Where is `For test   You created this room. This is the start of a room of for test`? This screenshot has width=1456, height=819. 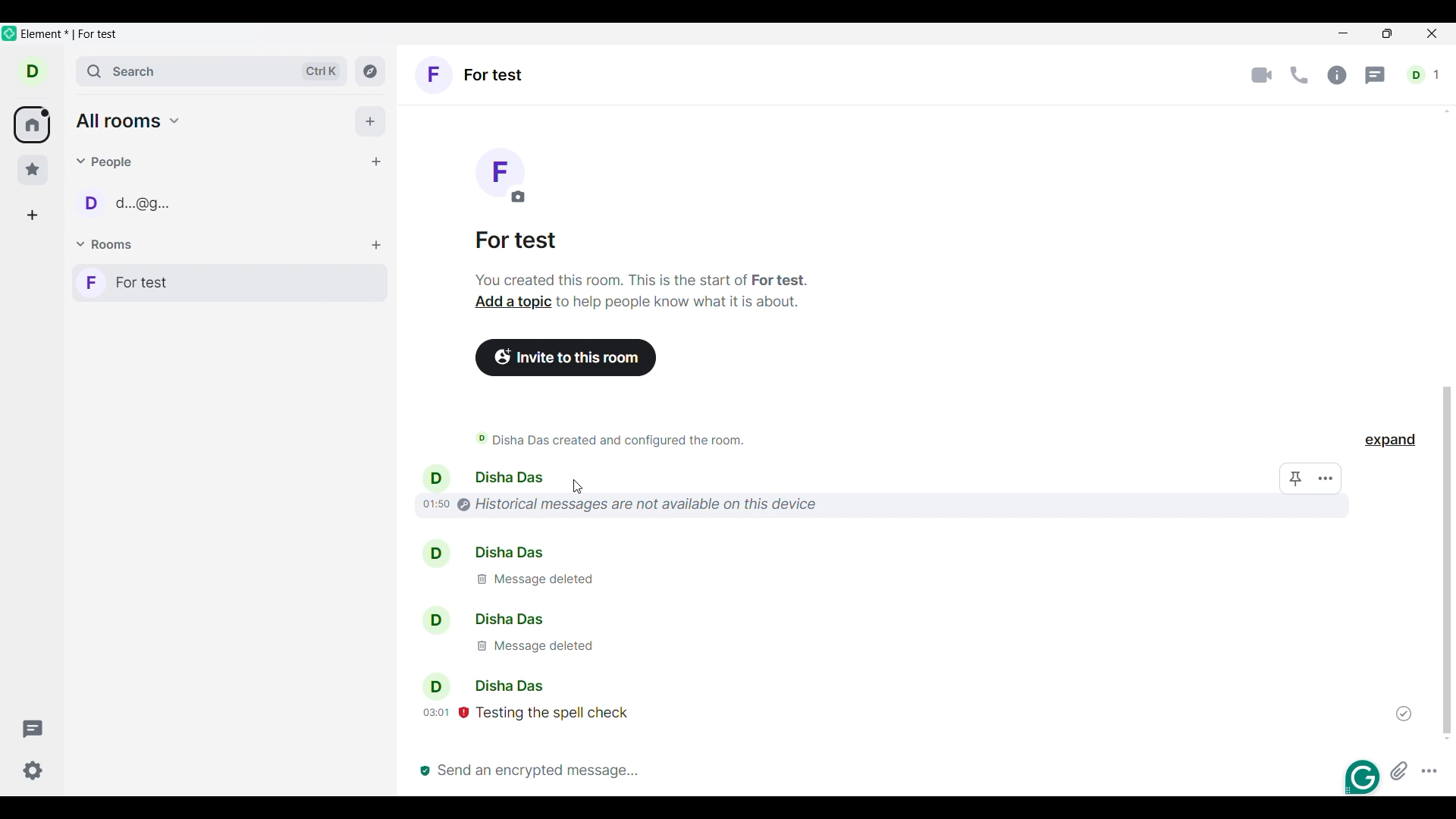
For test   You created this room. This is the start of a room of for test is located at coordinates (642, 258).